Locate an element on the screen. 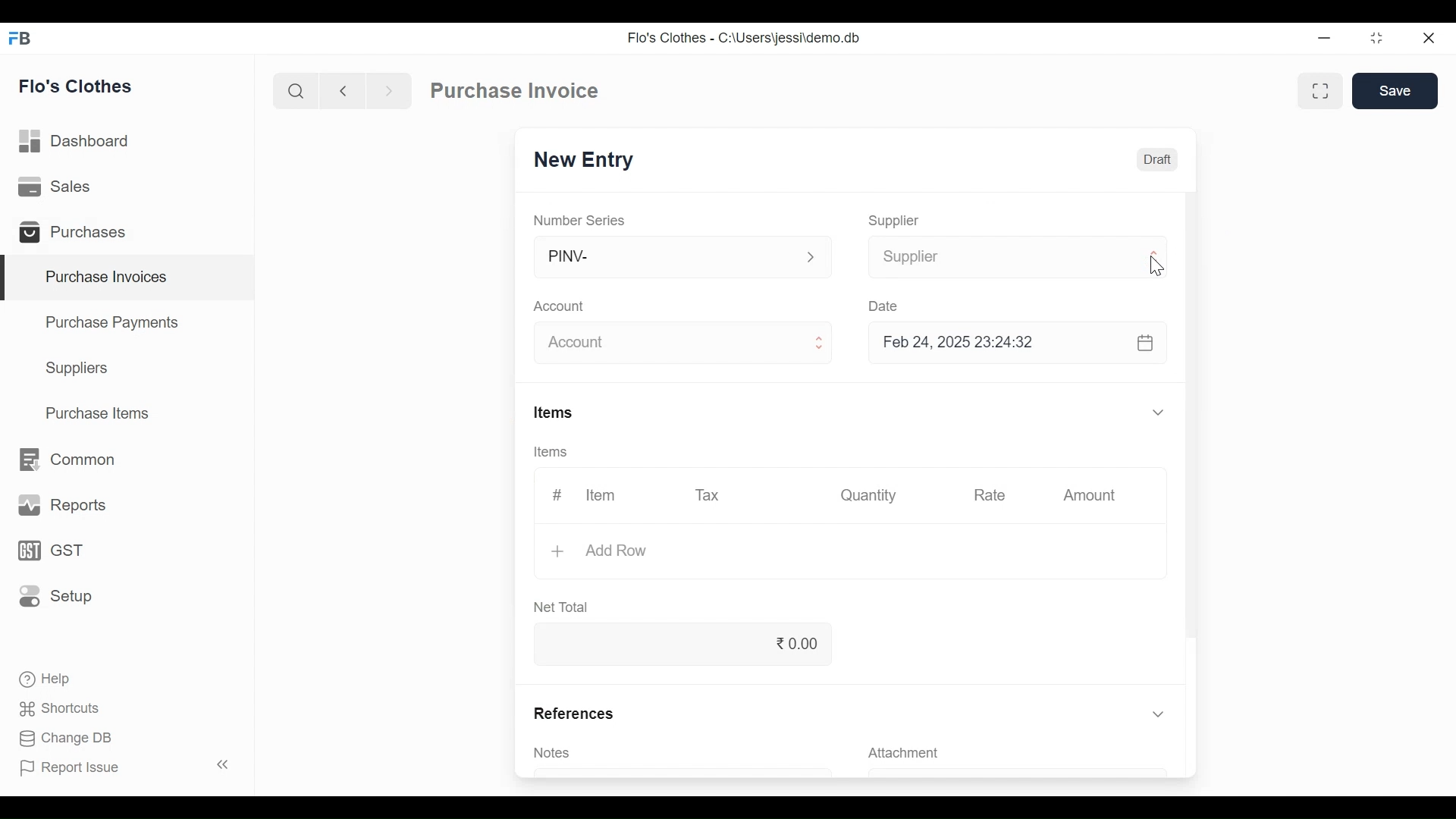 The image size is (1456, 819). Rate is located at coordinates (988, 495).